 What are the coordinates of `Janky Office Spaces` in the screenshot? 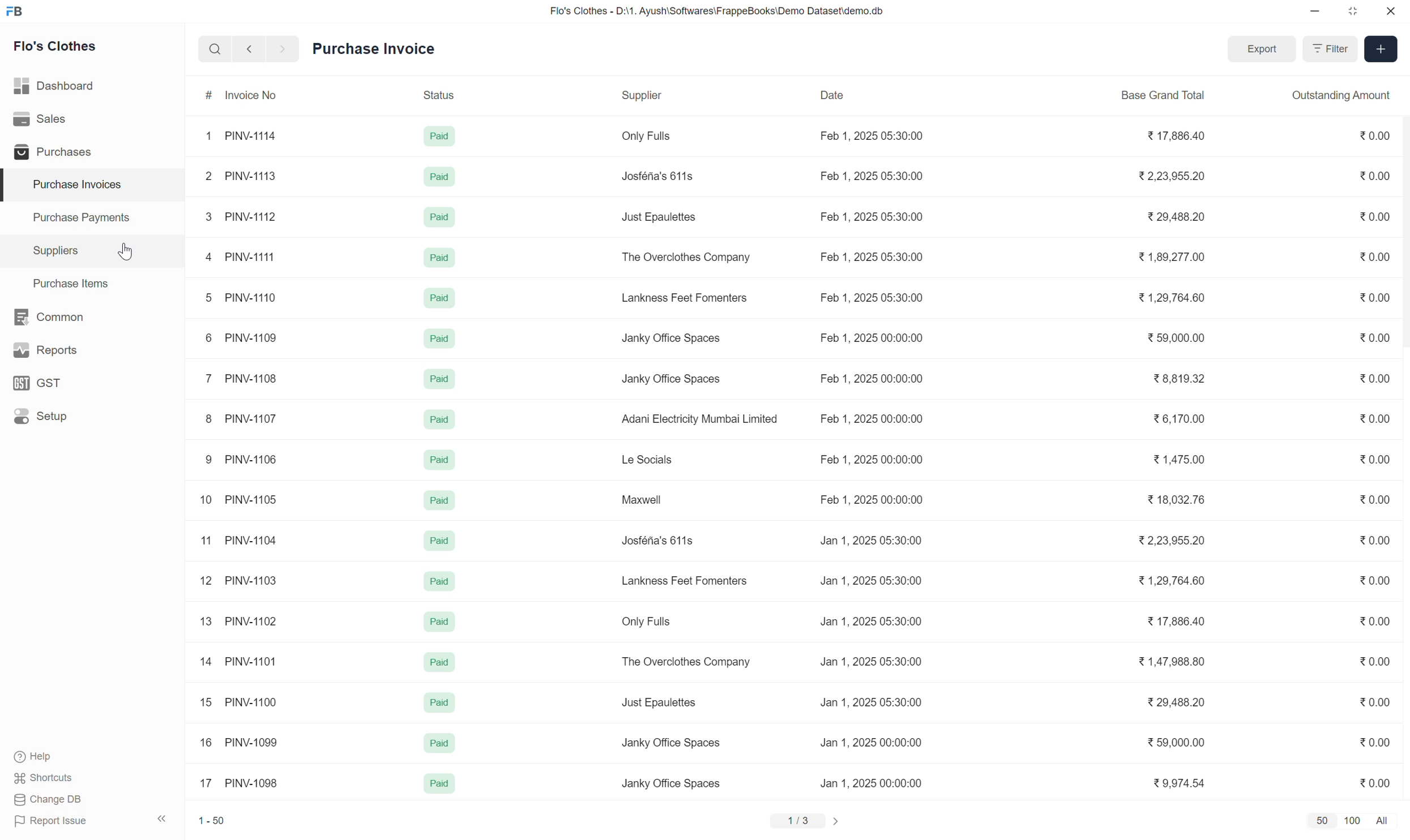 It's located at (670, 743).